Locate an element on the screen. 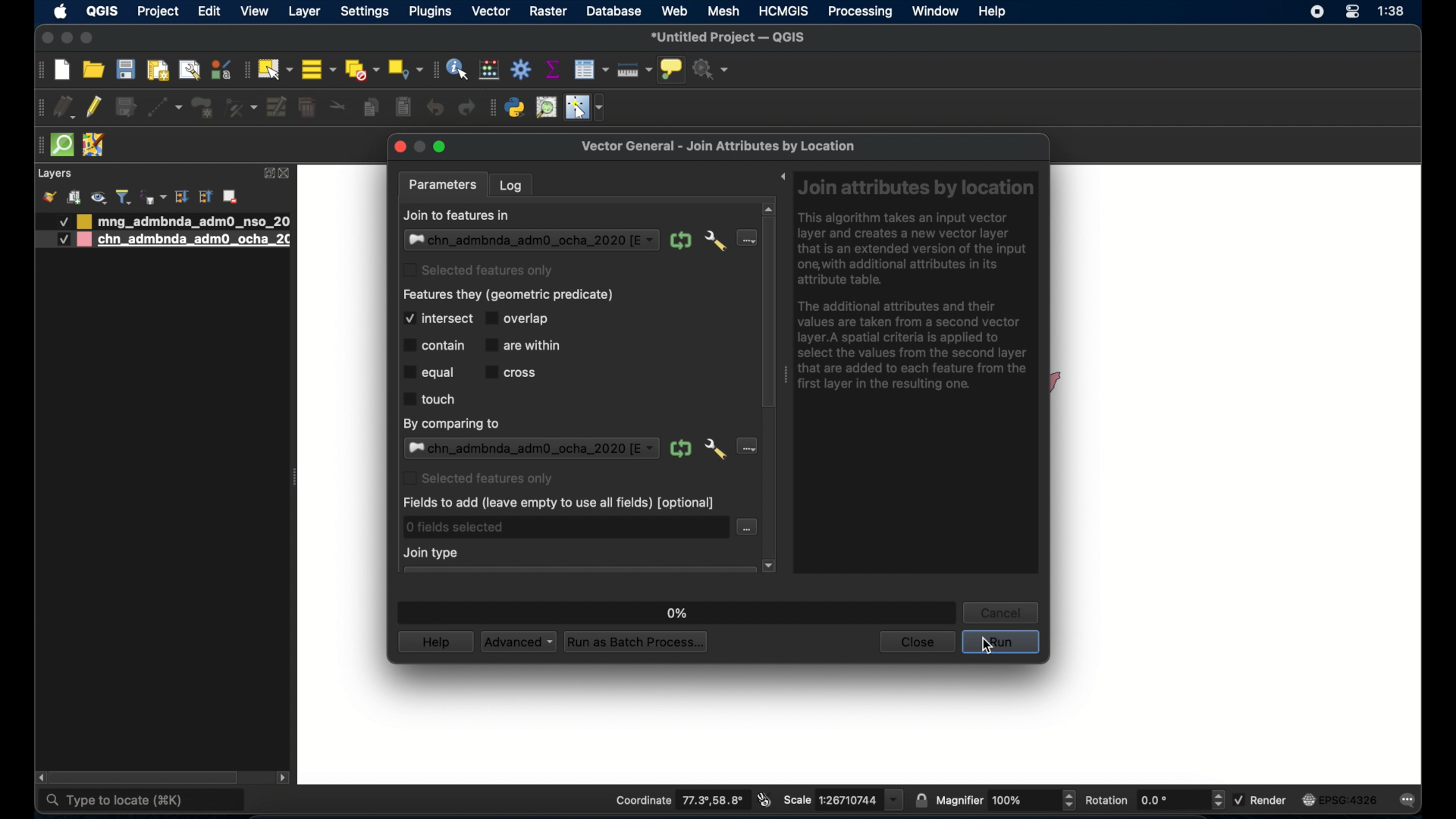  processing is located at coordinates (861, 13).